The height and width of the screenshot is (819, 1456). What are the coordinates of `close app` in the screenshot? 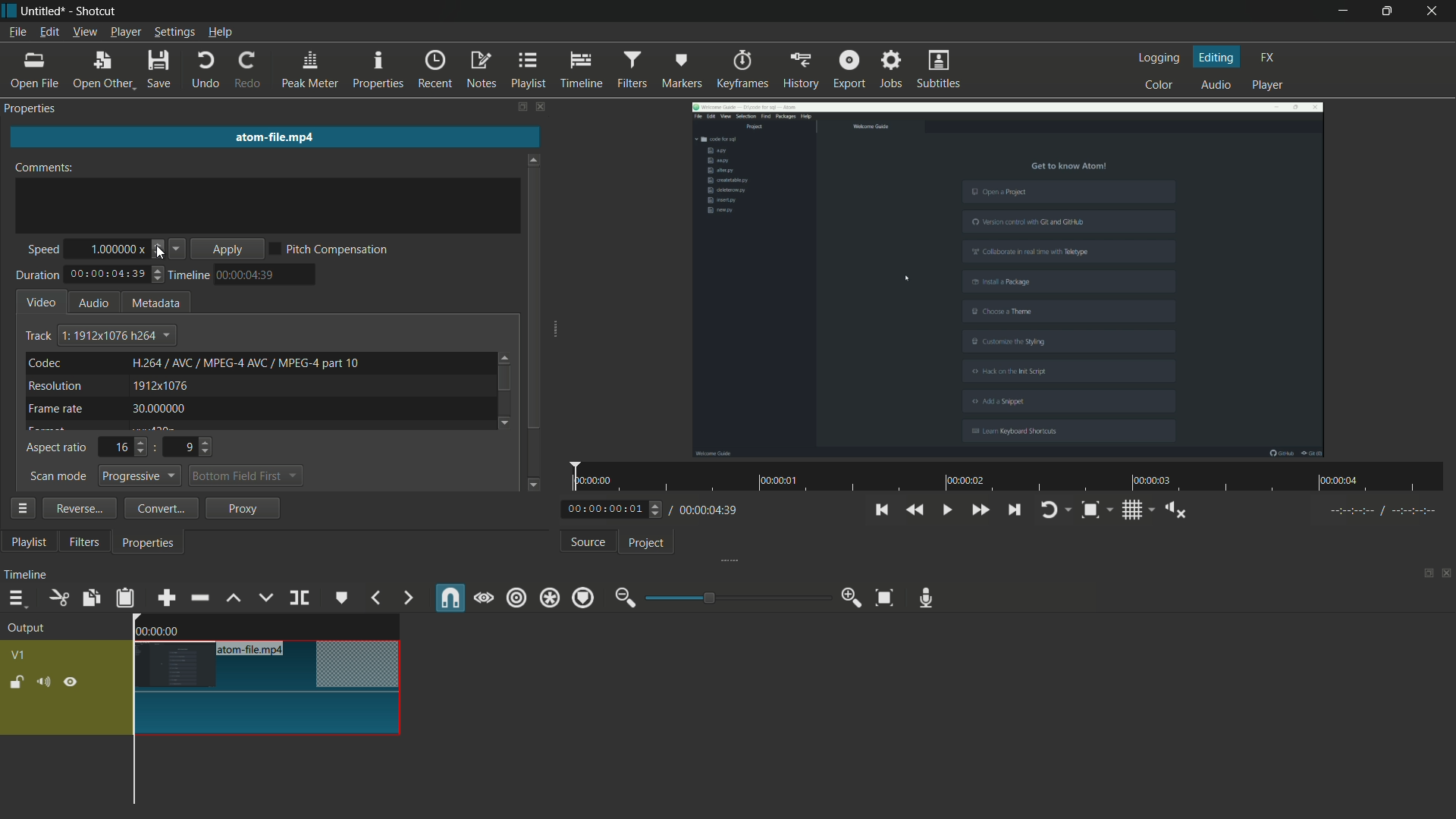 It's located at (1433, 11).